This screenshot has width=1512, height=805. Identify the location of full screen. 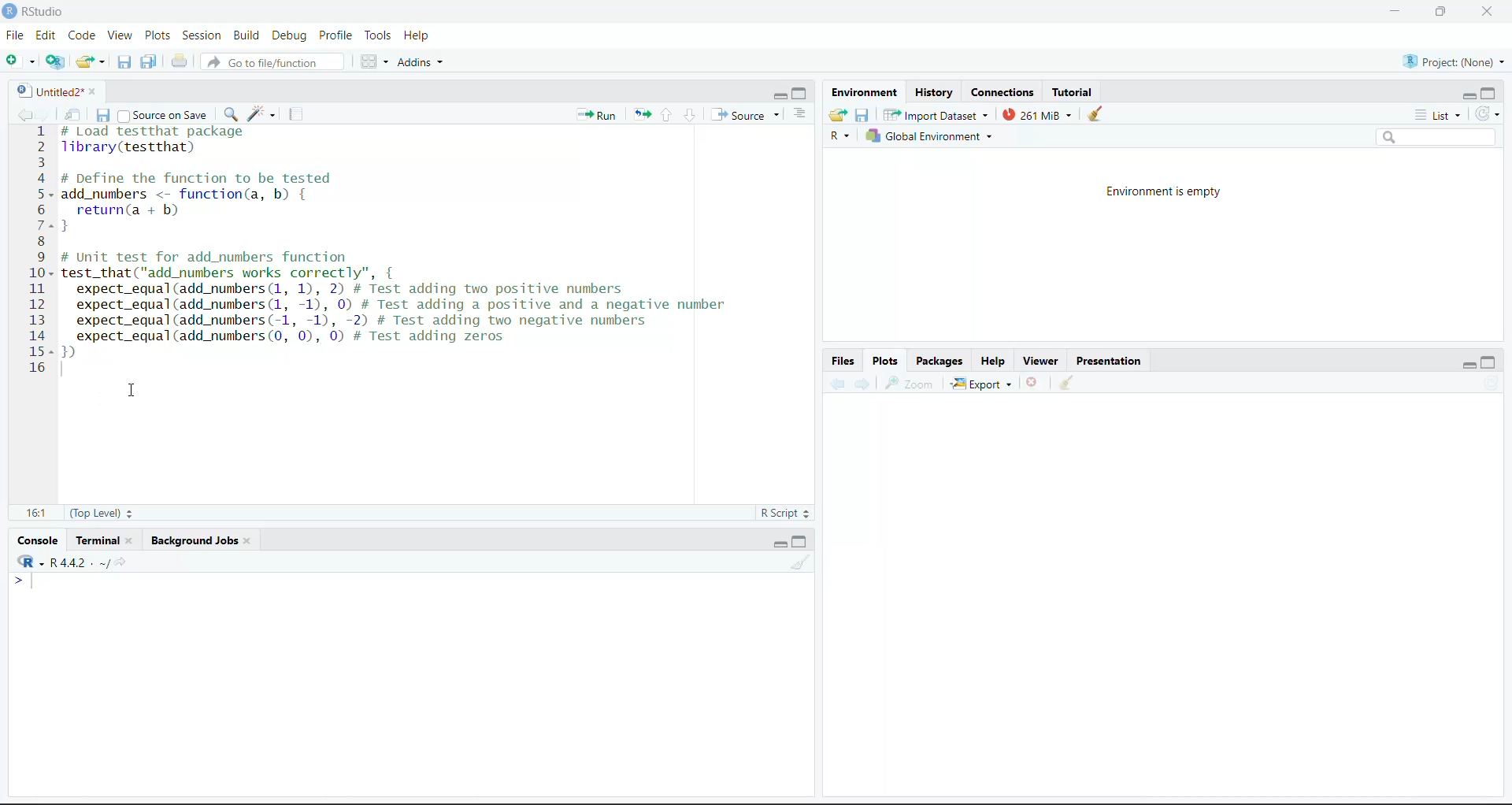
(1441, 13).